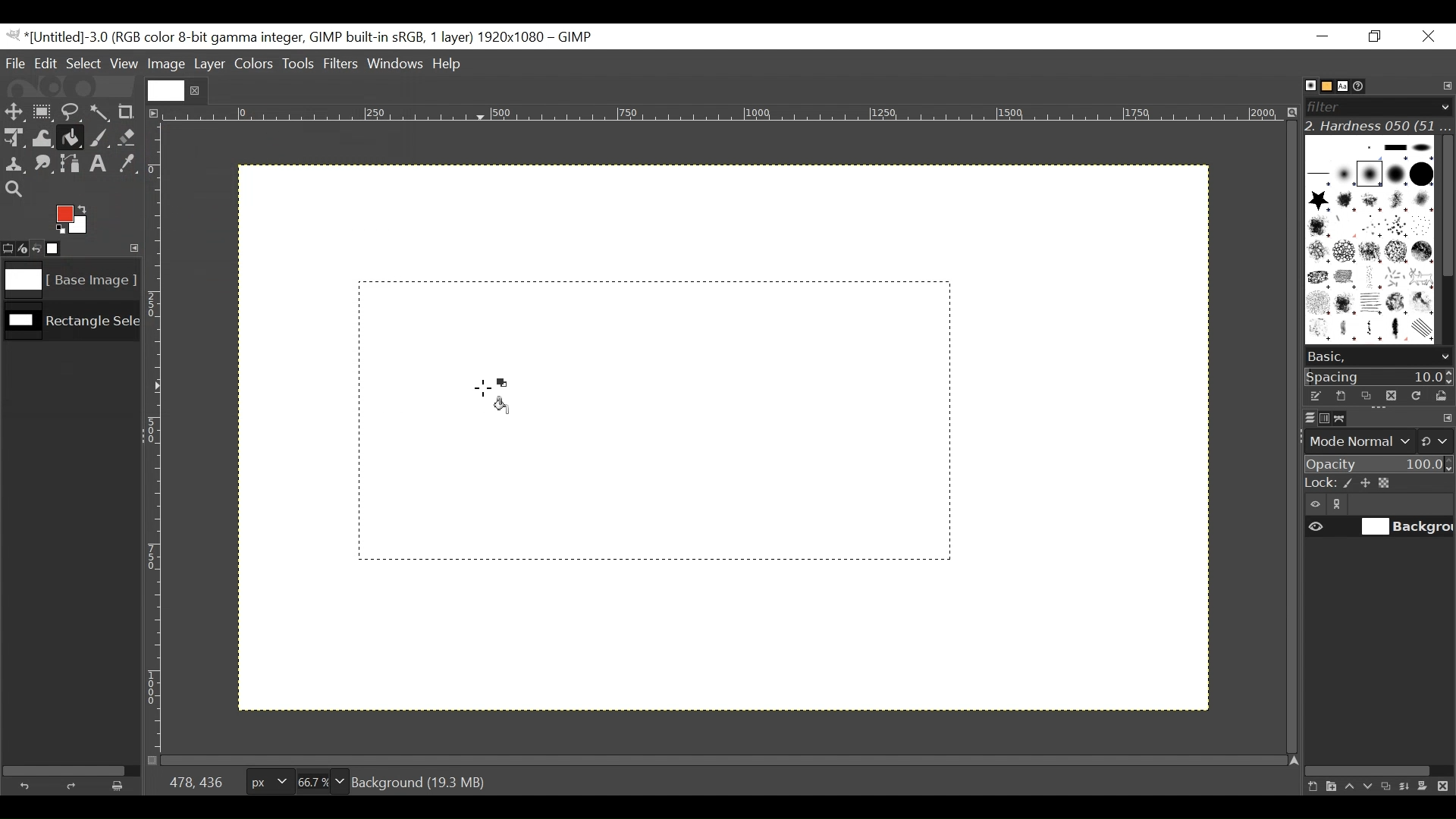  I want to click on Select by color tool, so click(102, 111).